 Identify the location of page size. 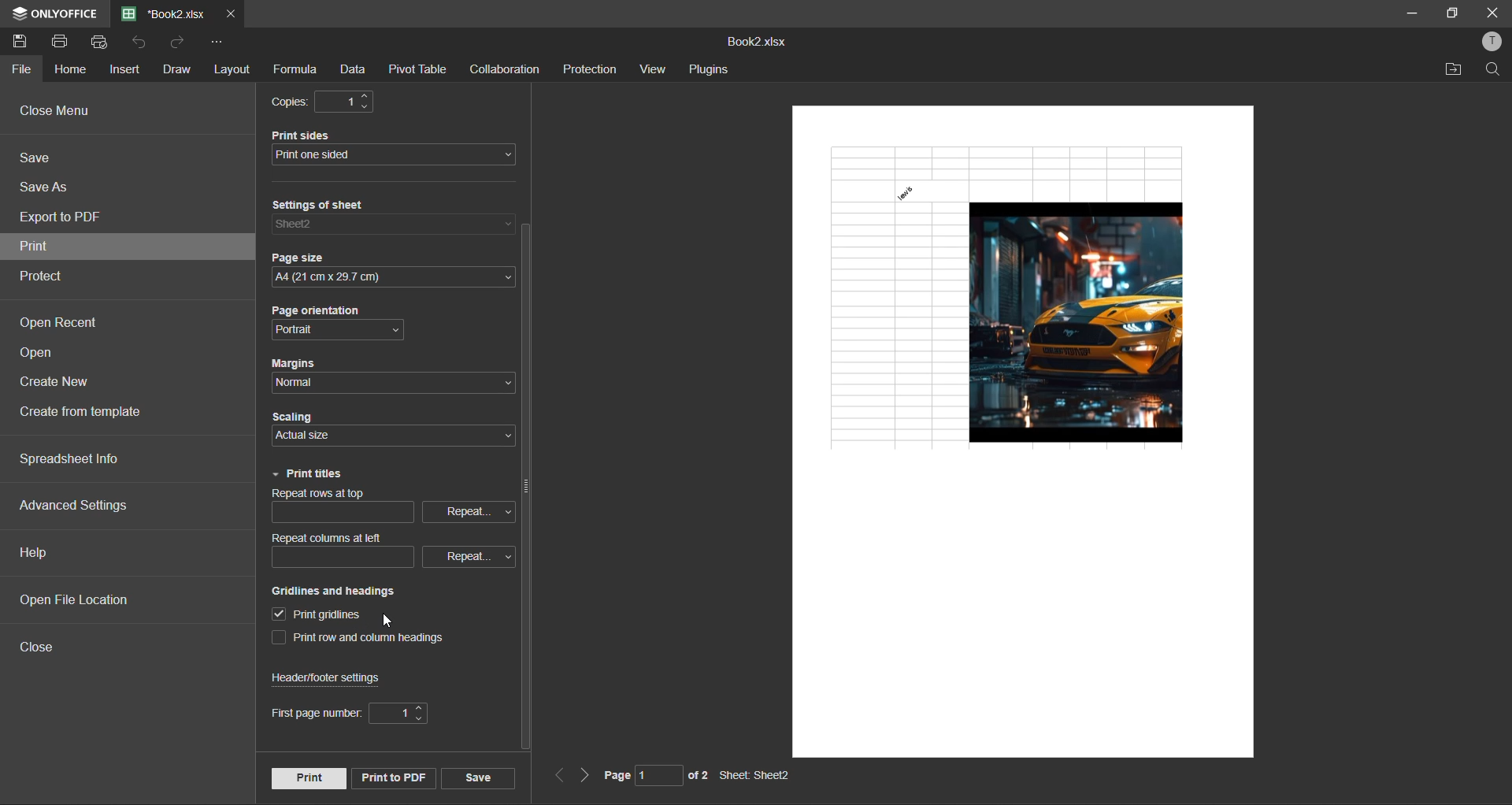
(307, 256).